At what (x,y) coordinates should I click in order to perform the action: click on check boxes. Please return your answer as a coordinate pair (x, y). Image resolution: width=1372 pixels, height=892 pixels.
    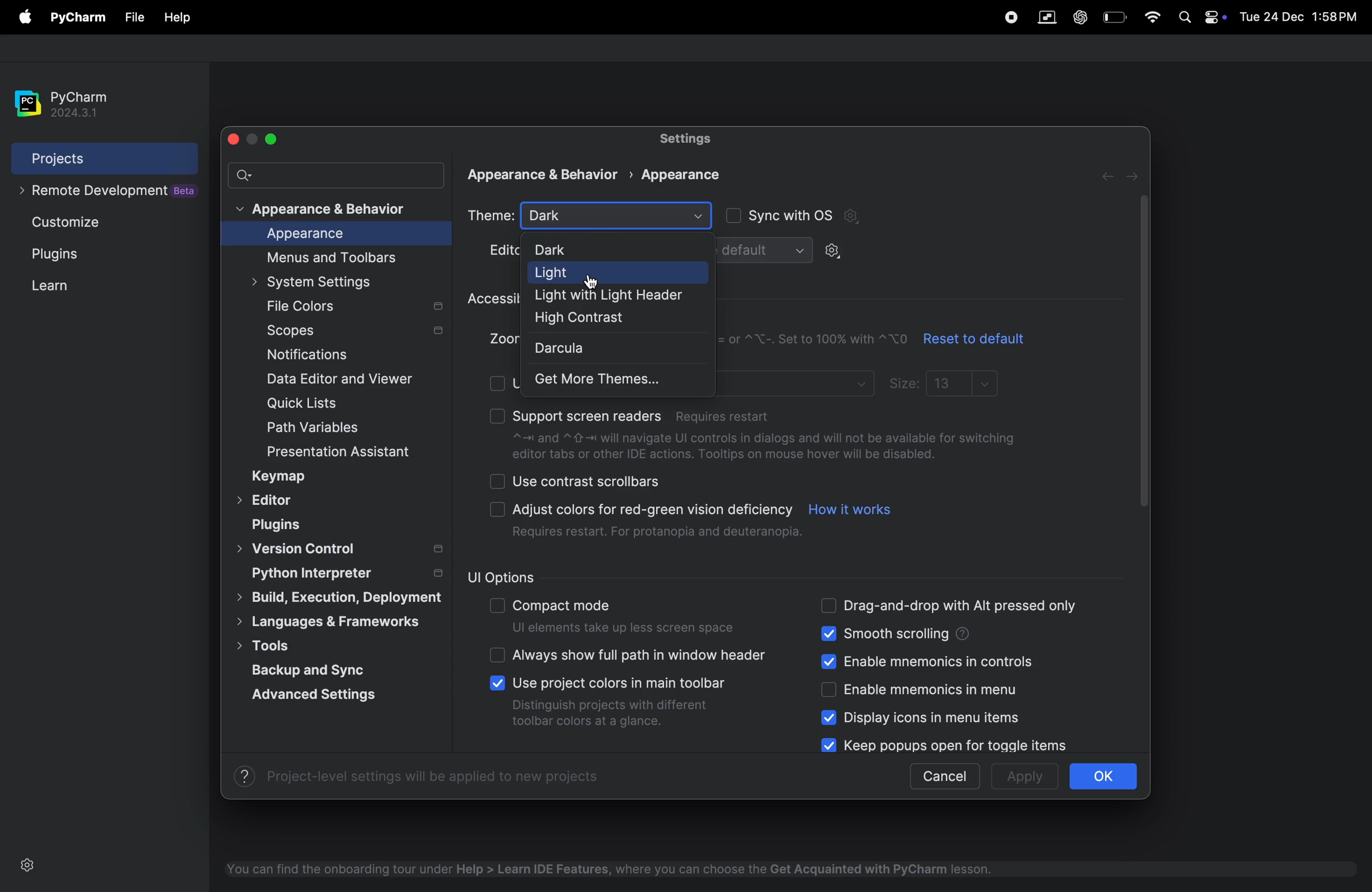
    Looking at the image, I should click on (497, 380).